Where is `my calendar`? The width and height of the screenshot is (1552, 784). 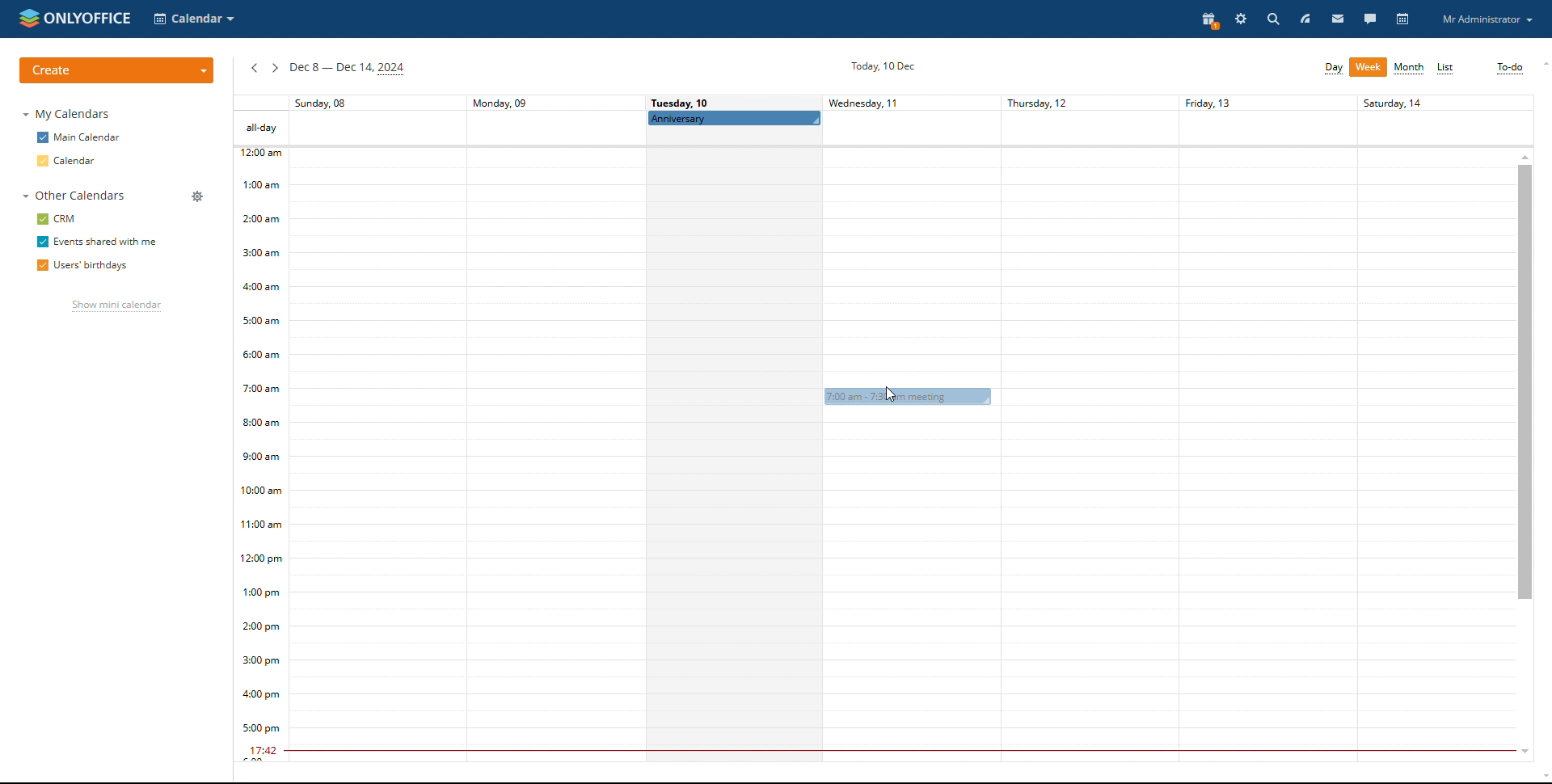
my calendar is located at coordinates (70, 114).